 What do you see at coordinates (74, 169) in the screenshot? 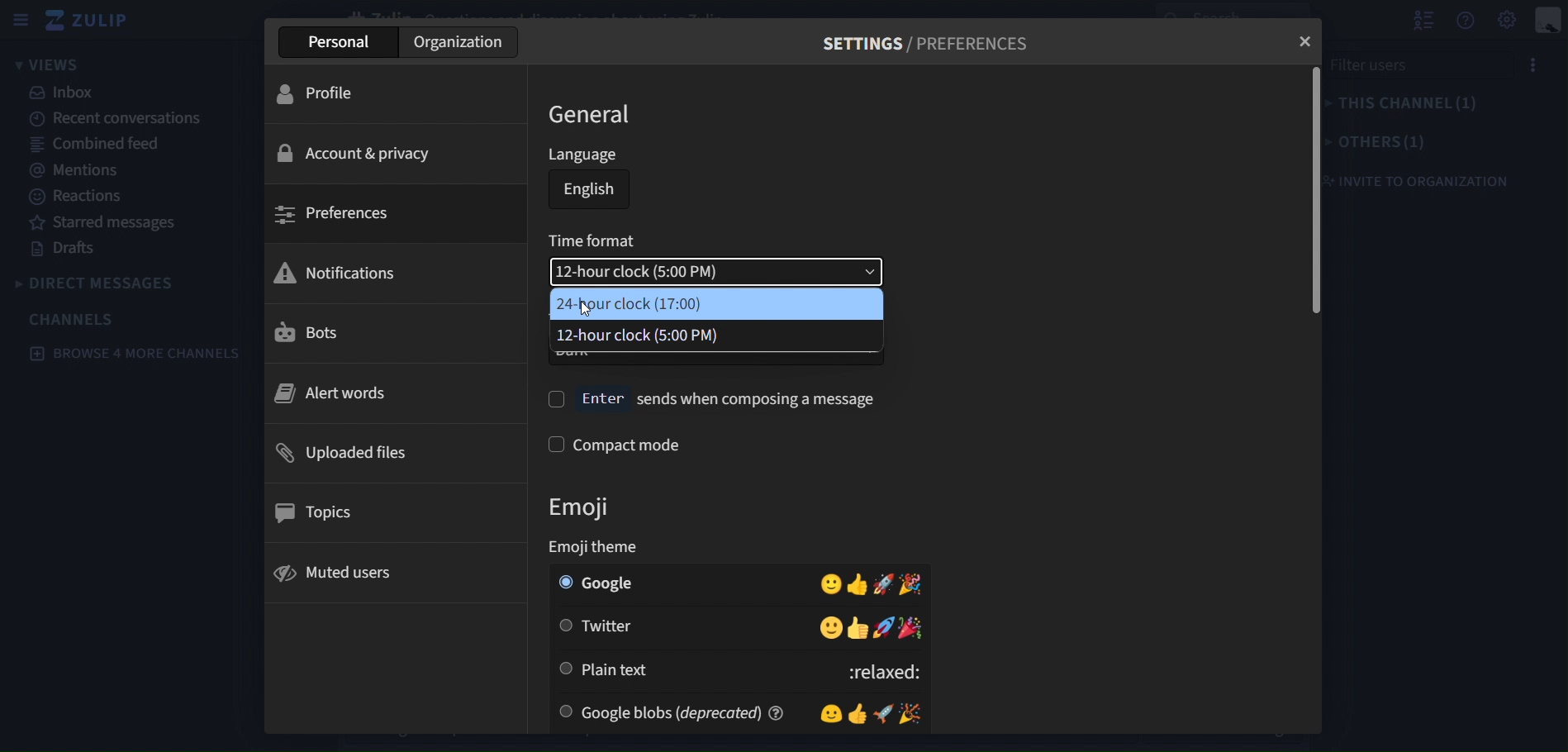
I see `mentions` at bounding box center [74, 169].